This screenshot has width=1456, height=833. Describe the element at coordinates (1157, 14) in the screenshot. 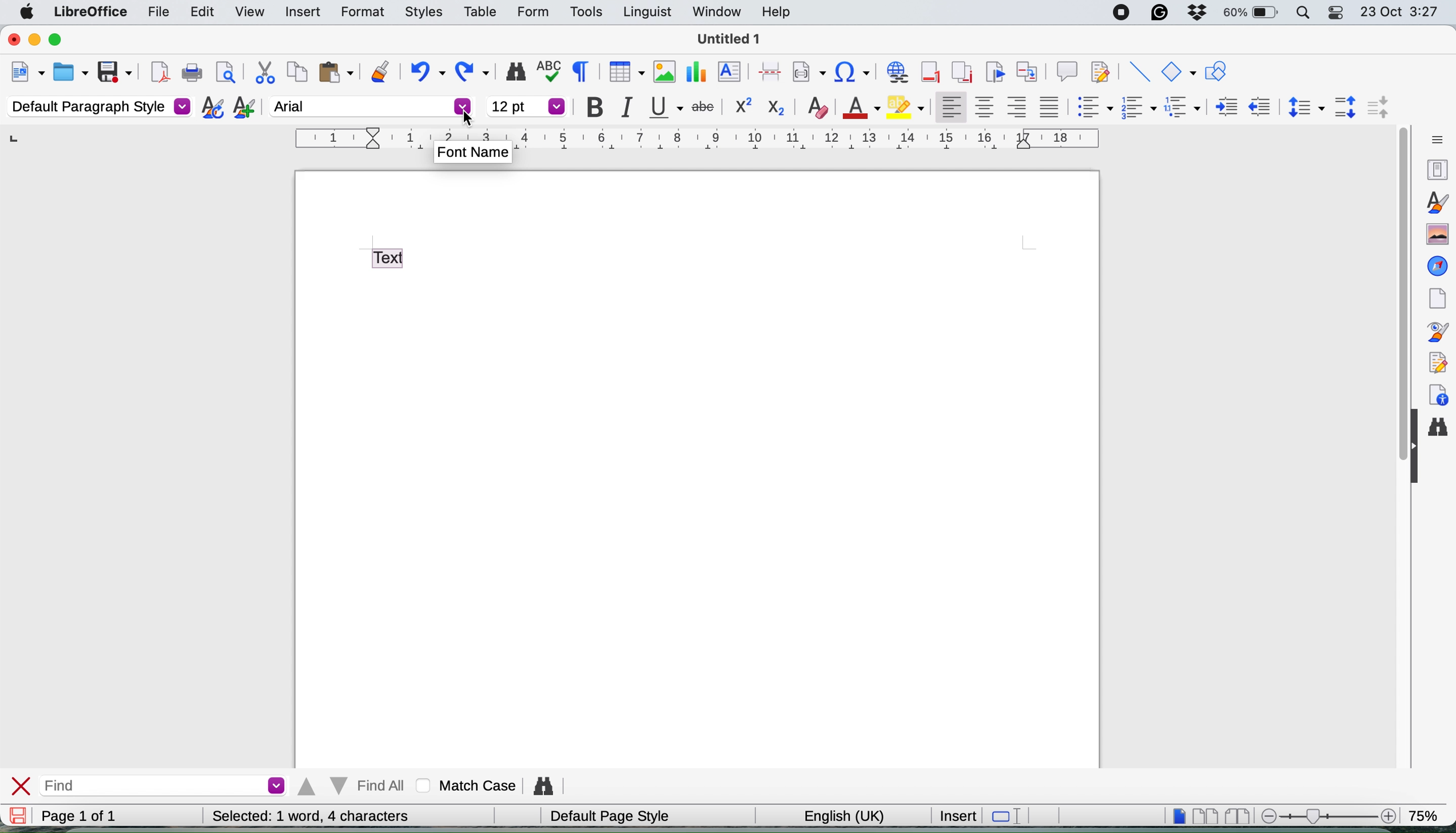

I see `grammarly` at that location.